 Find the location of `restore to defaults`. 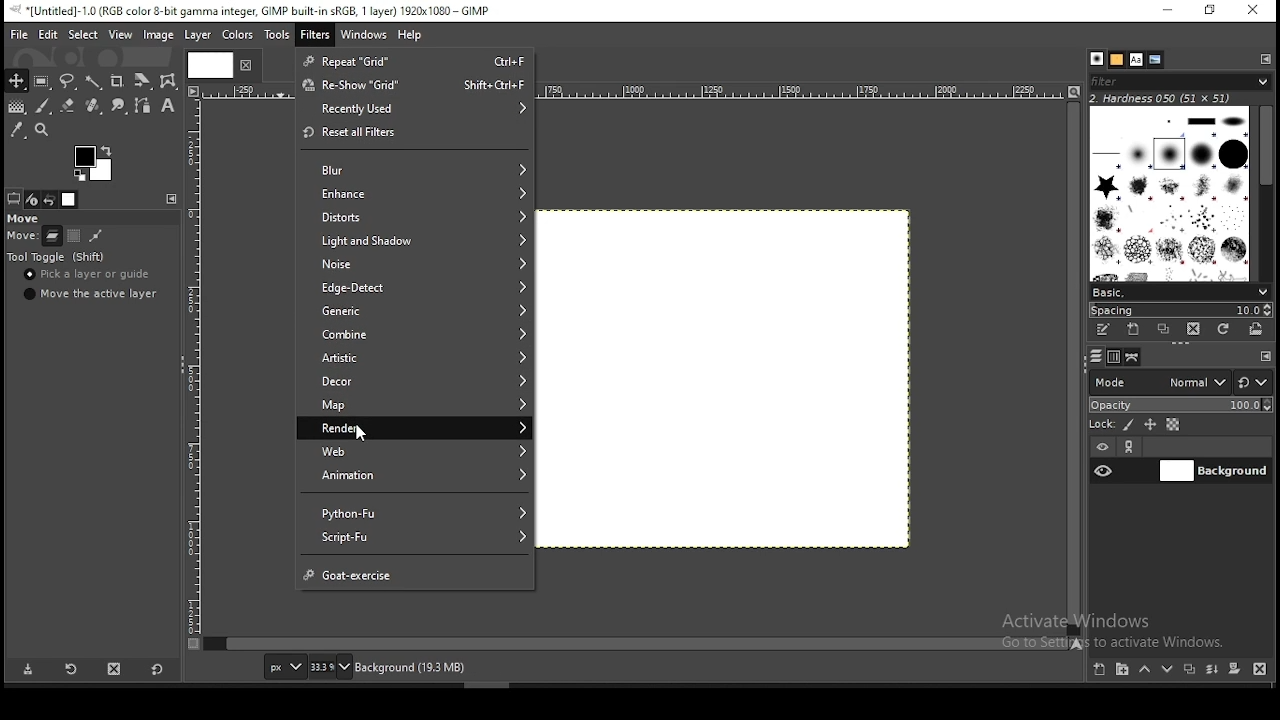

restore to defaults is located at coordinates (160, 669).